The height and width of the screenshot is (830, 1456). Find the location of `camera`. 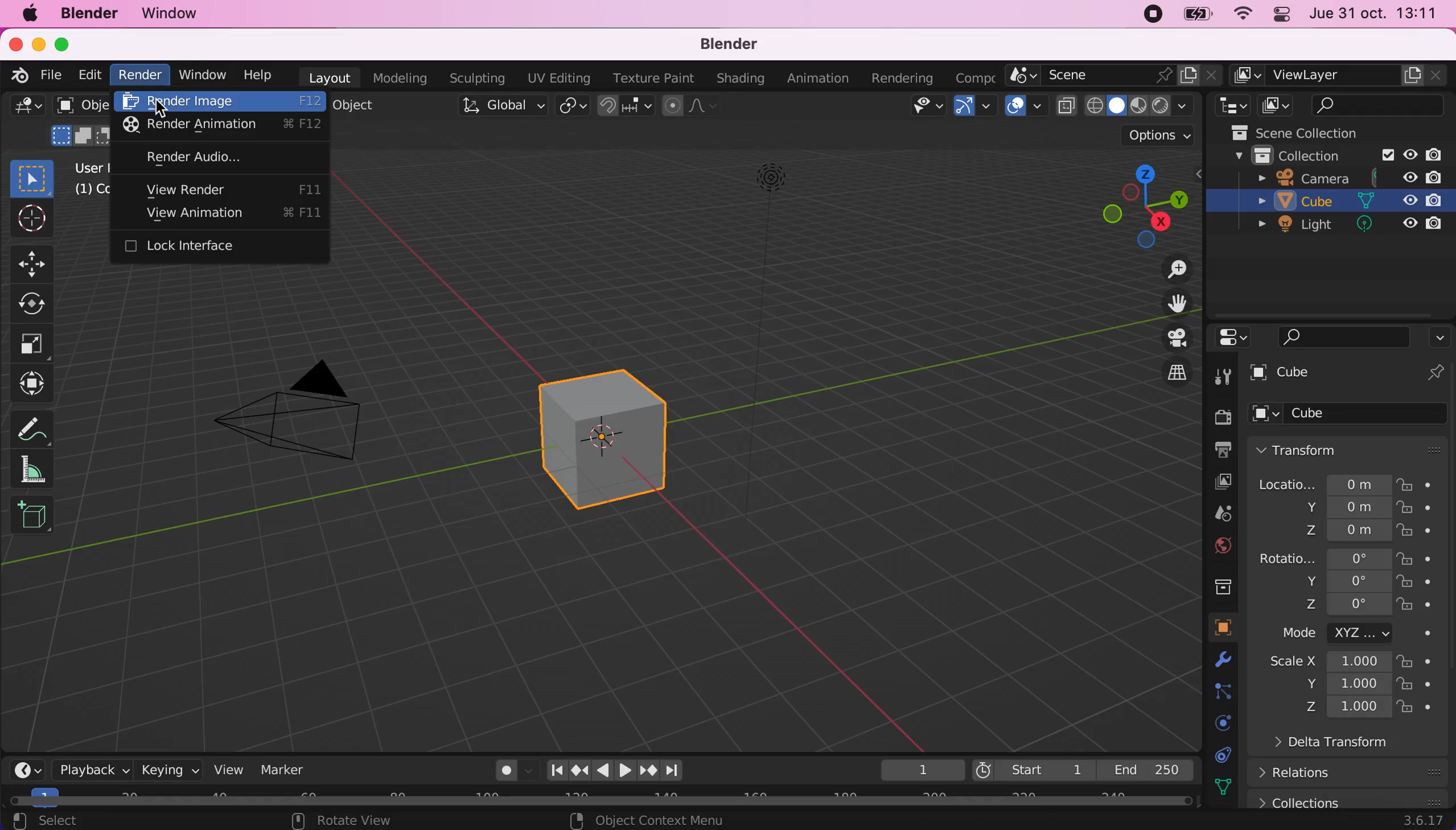

camera is located at coordinates (1349, 177).